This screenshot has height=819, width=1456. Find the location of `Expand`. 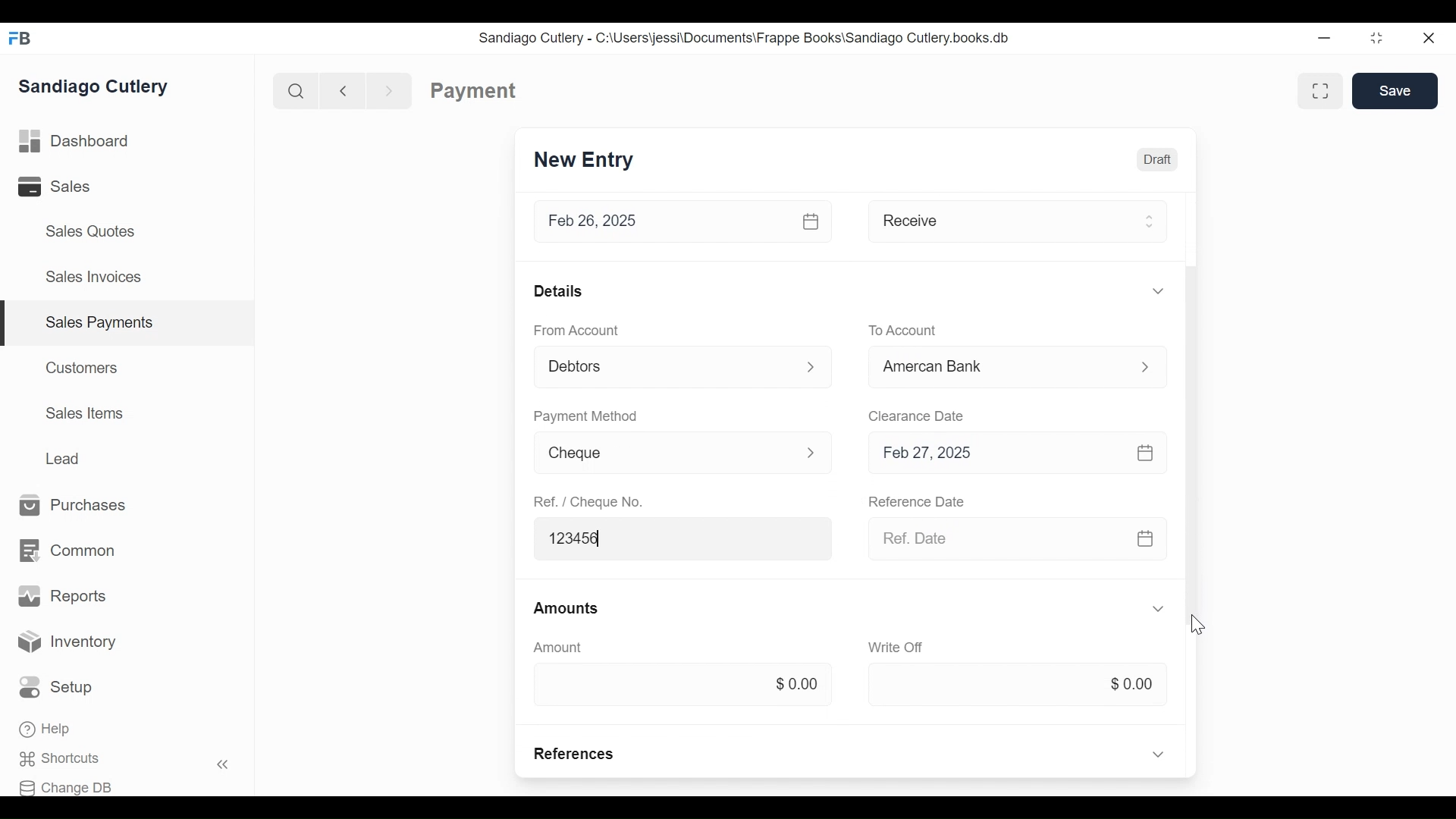

Expand is located at coordinates (1159, 609).